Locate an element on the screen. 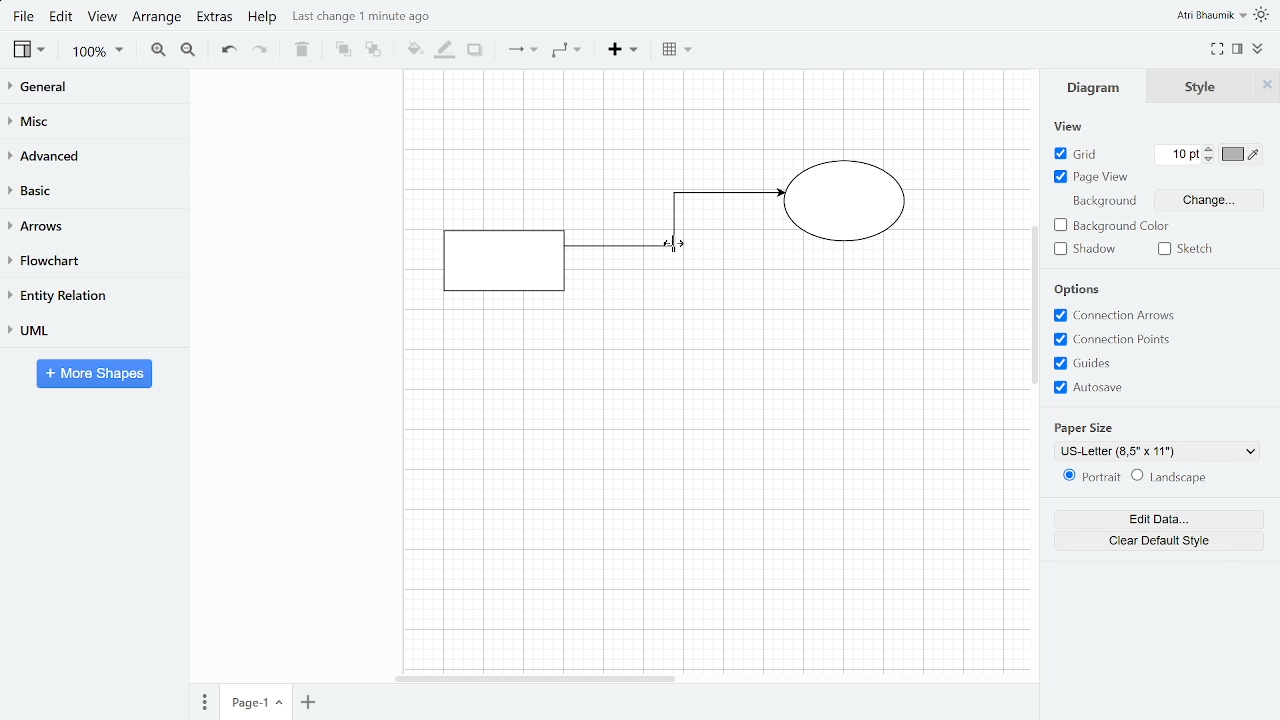 Image resolution: width=1280 pixels, height=720 pixels. square shape is located at coordinates (502, 260).